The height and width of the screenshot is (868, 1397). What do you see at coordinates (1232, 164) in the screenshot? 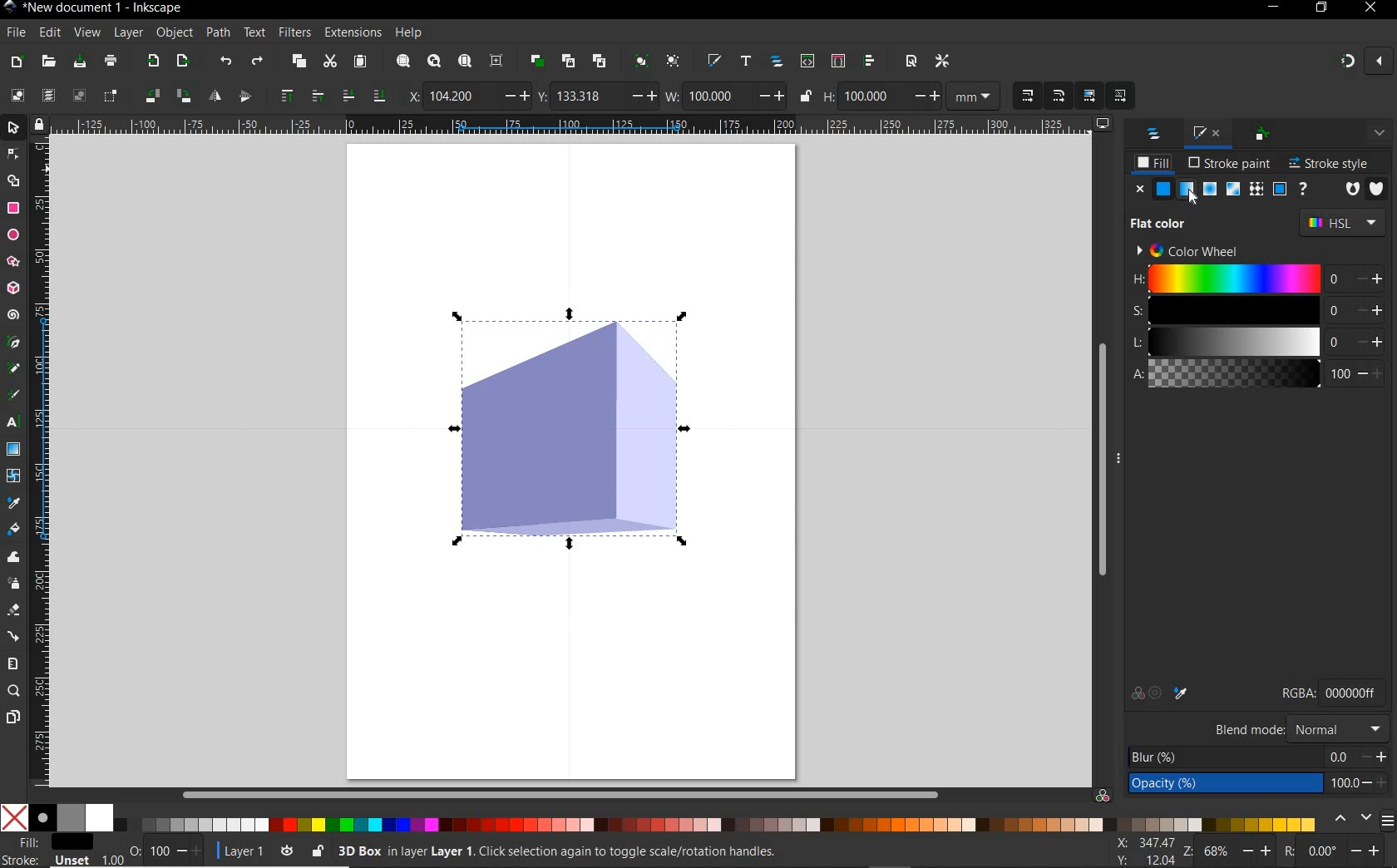
I see `STROKE PAINT` at bounding box center [1232, 164].